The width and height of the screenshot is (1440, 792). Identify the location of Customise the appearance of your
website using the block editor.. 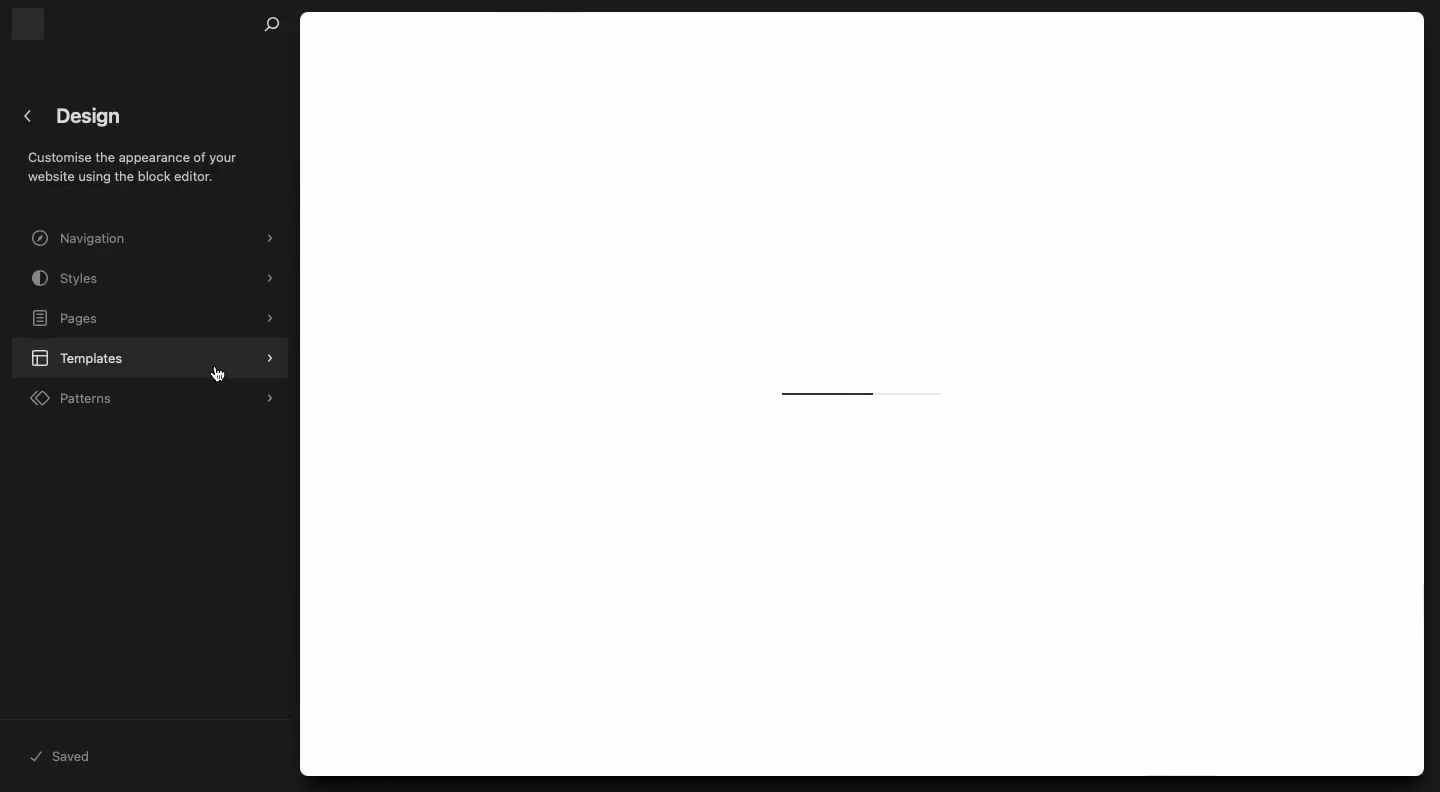
(130, 169).